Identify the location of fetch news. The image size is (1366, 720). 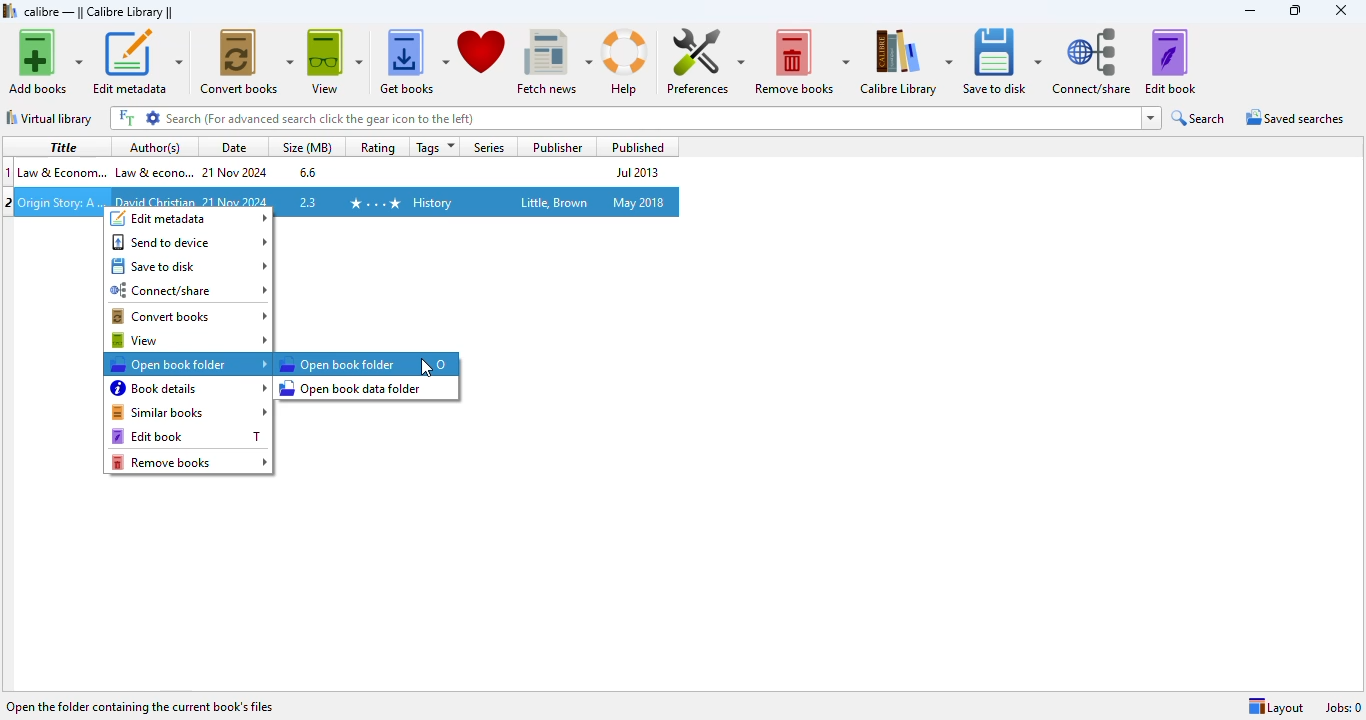
(553, 60).